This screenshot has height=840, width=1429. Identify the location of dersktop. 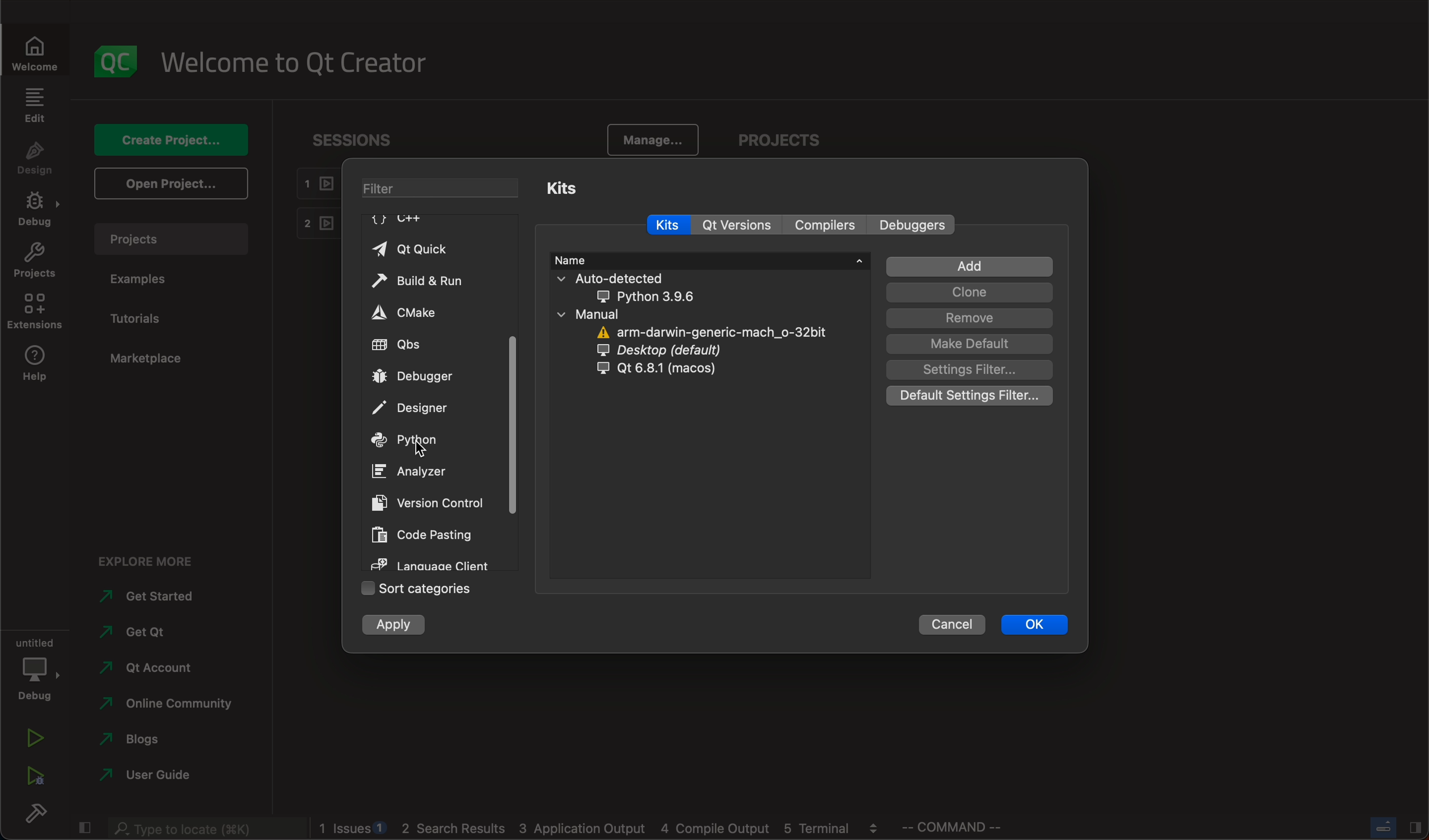
(673, 351).